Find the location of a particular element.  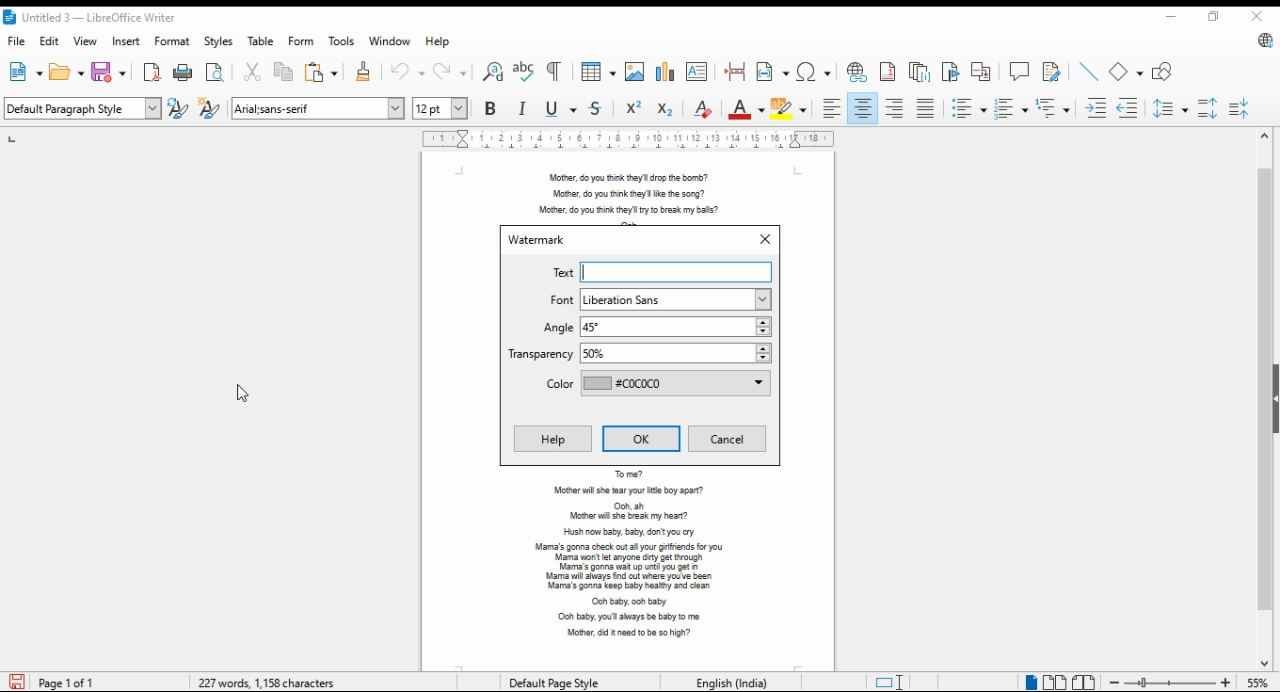

transperency is located at coordinates (637, 354).